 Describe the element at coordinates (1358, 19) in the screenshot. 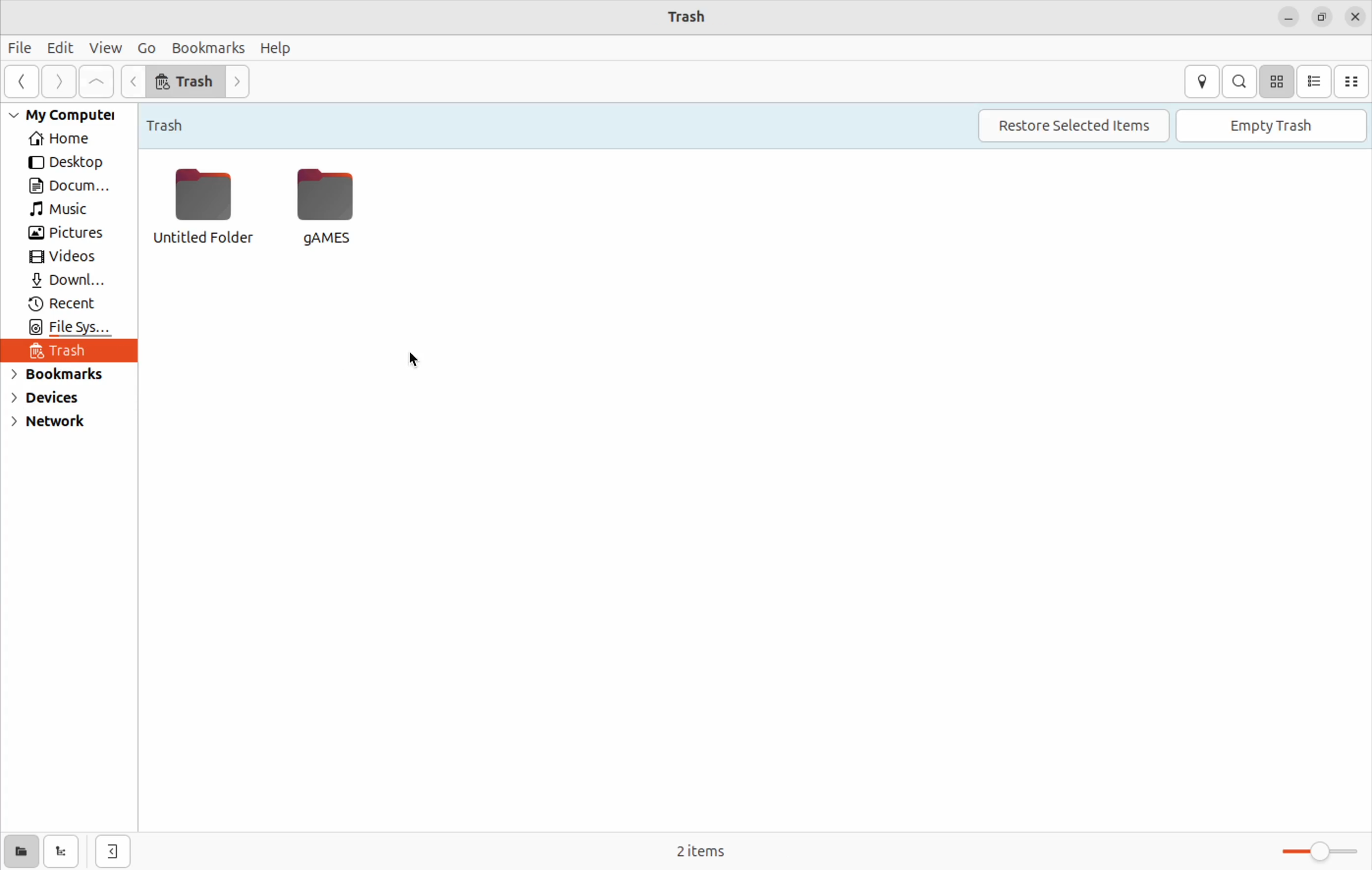

I see `close` at that location.